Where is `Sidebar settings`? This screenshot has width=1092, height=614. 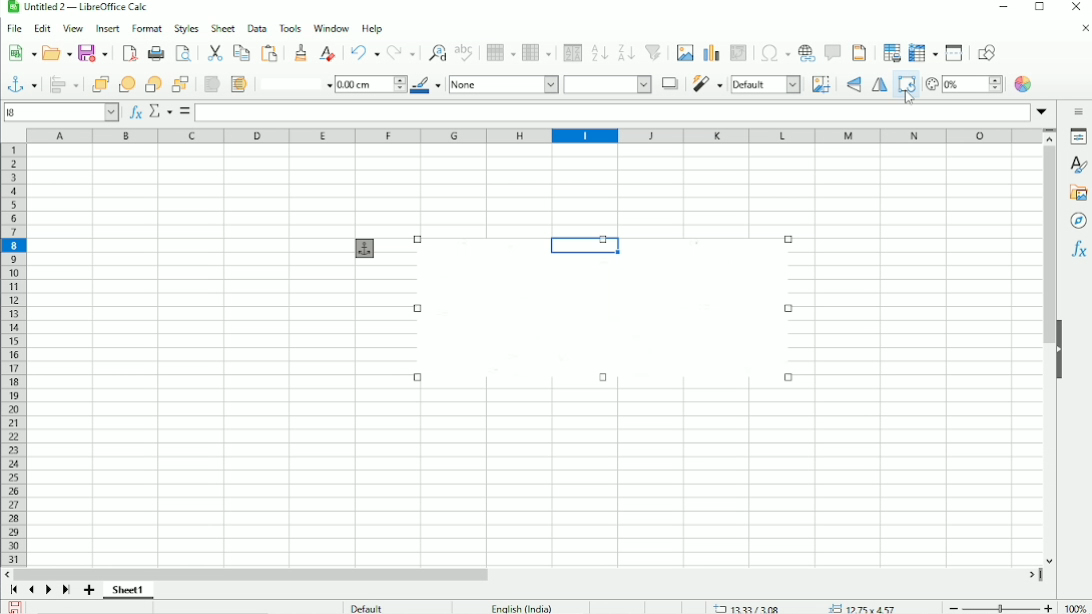 Sidebar settings is located at coordinates (1076, 111).